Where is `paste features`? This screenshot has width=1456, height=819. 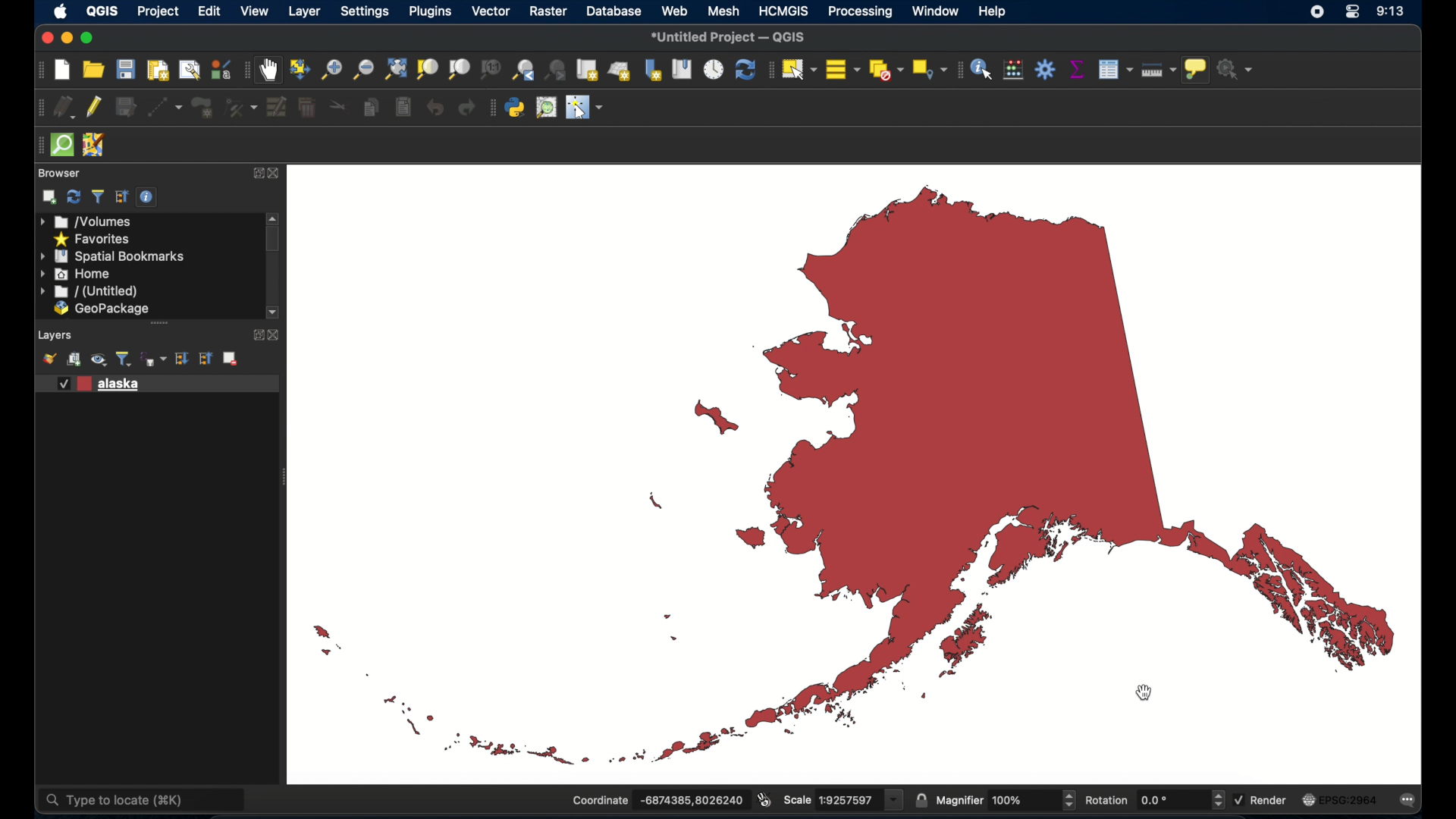
paste features is located at coordinates (403, 108).